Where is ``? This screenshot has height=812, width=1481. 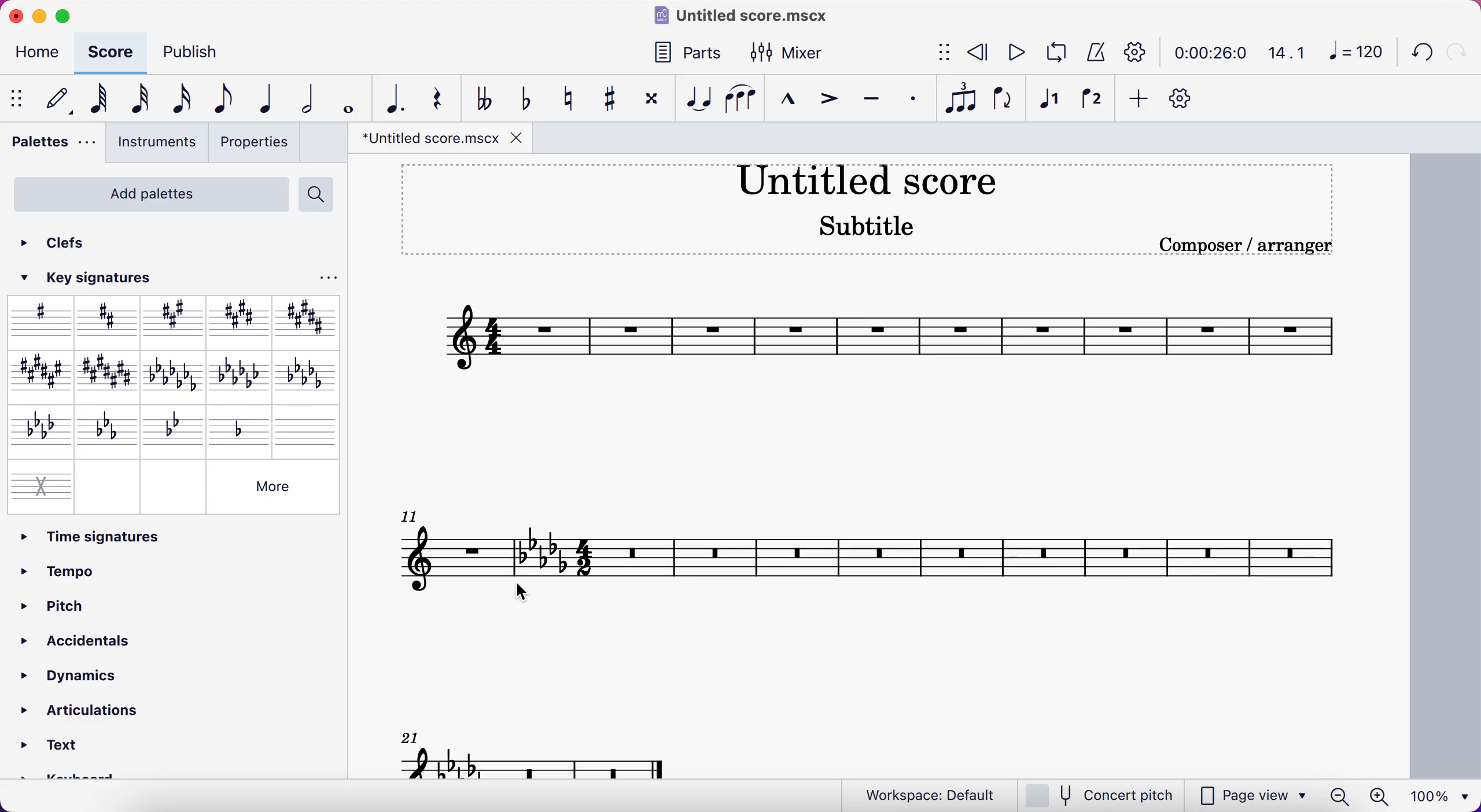
 is located at coordinates (274, 486).